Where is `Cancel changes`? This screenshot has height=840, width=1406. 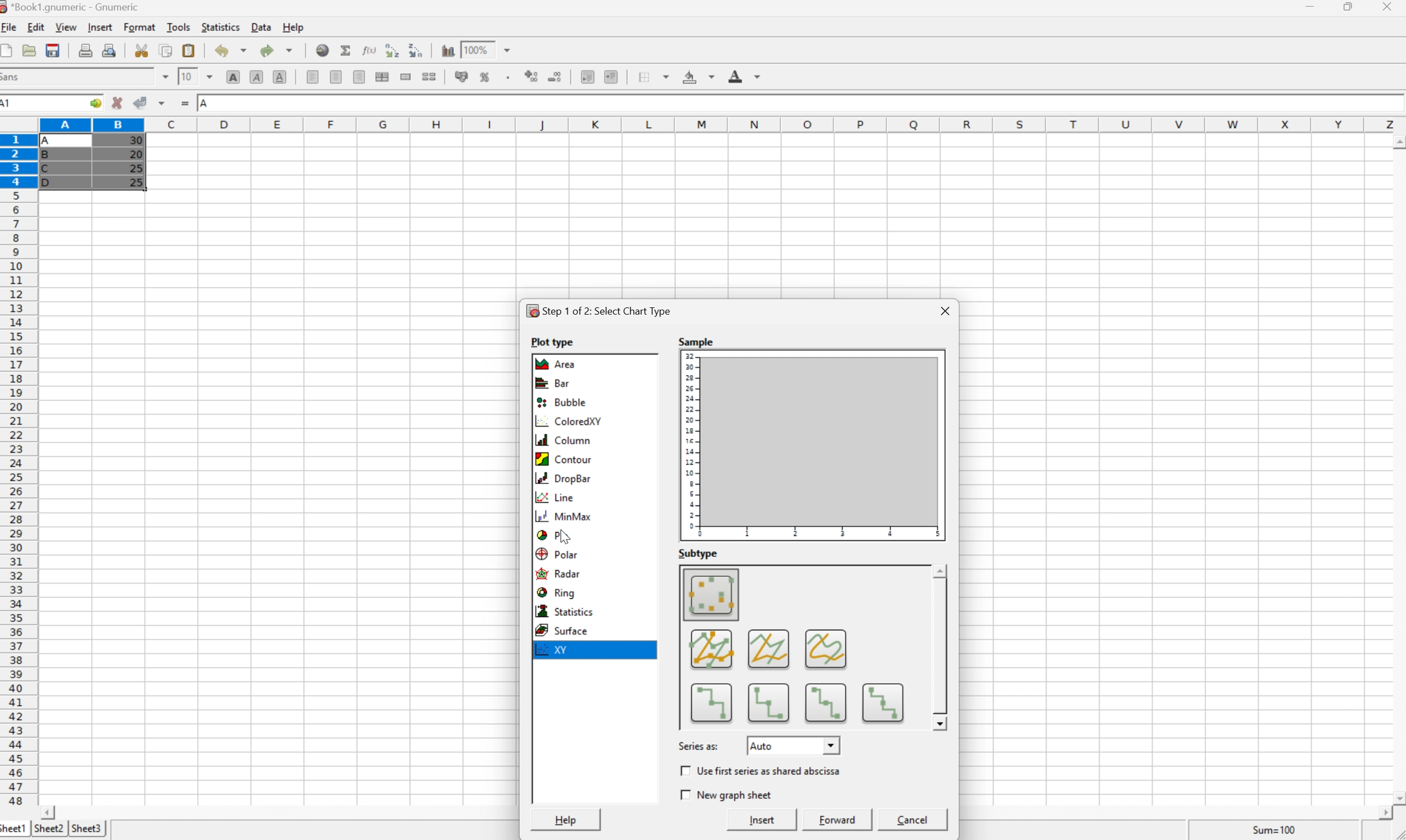 Cancel changes is located at coordinates (117, 102).